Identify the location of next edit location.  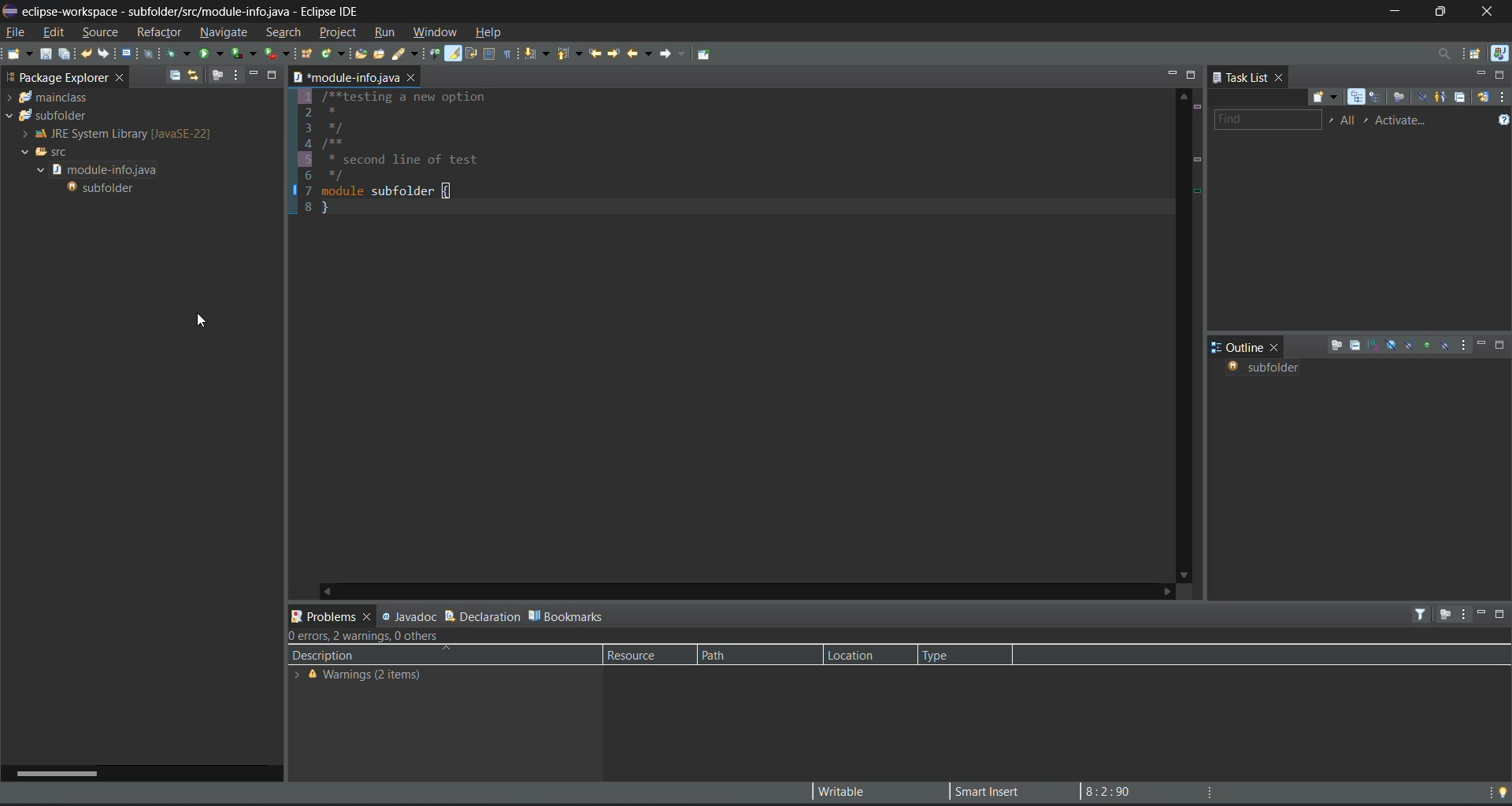
(613, 52).